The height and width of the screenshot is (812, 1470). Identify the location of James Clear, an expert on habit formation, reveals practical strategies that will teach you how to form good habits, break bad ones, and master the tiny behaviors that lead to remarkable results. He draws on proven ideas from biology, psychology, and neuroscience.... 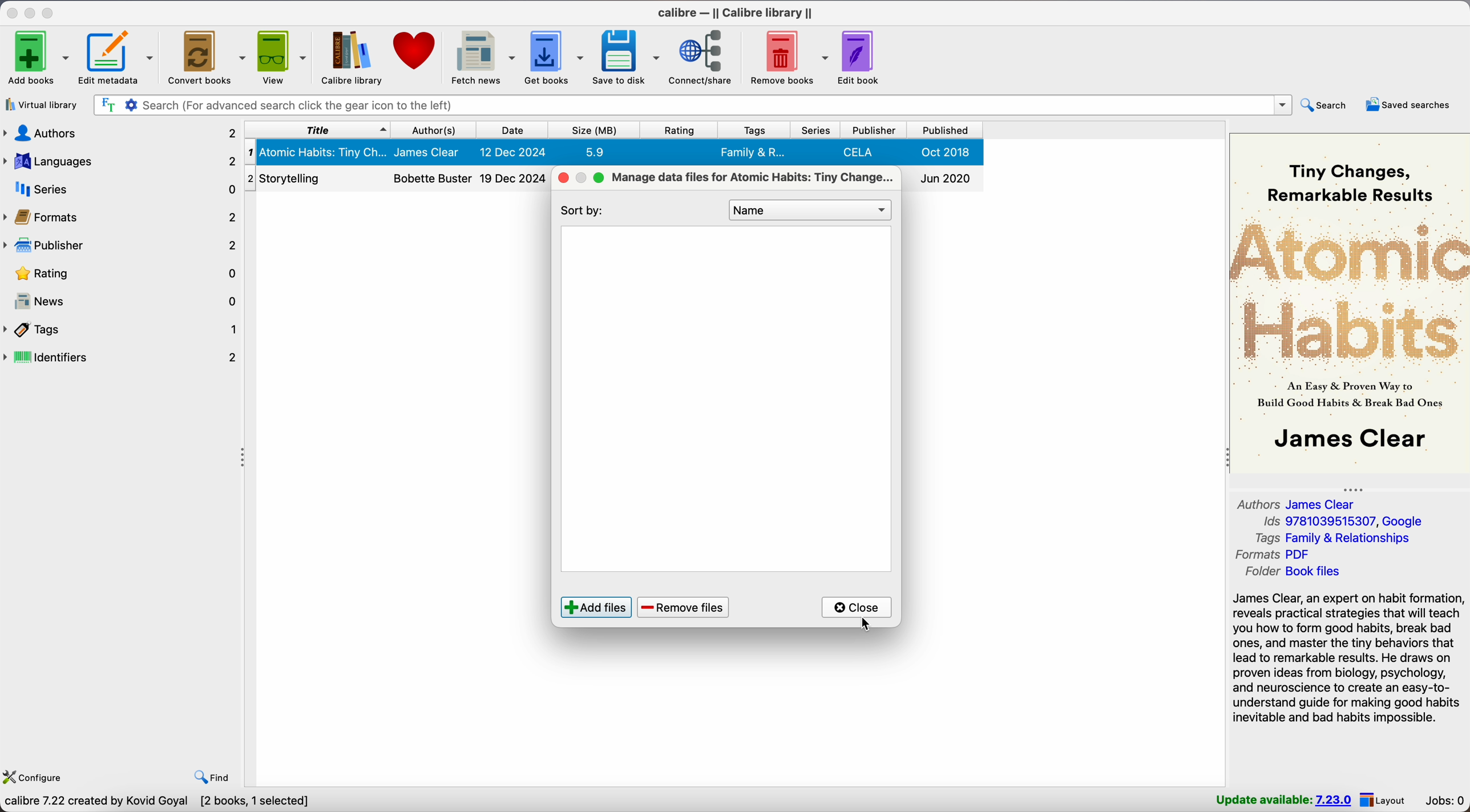
(1348, 660).